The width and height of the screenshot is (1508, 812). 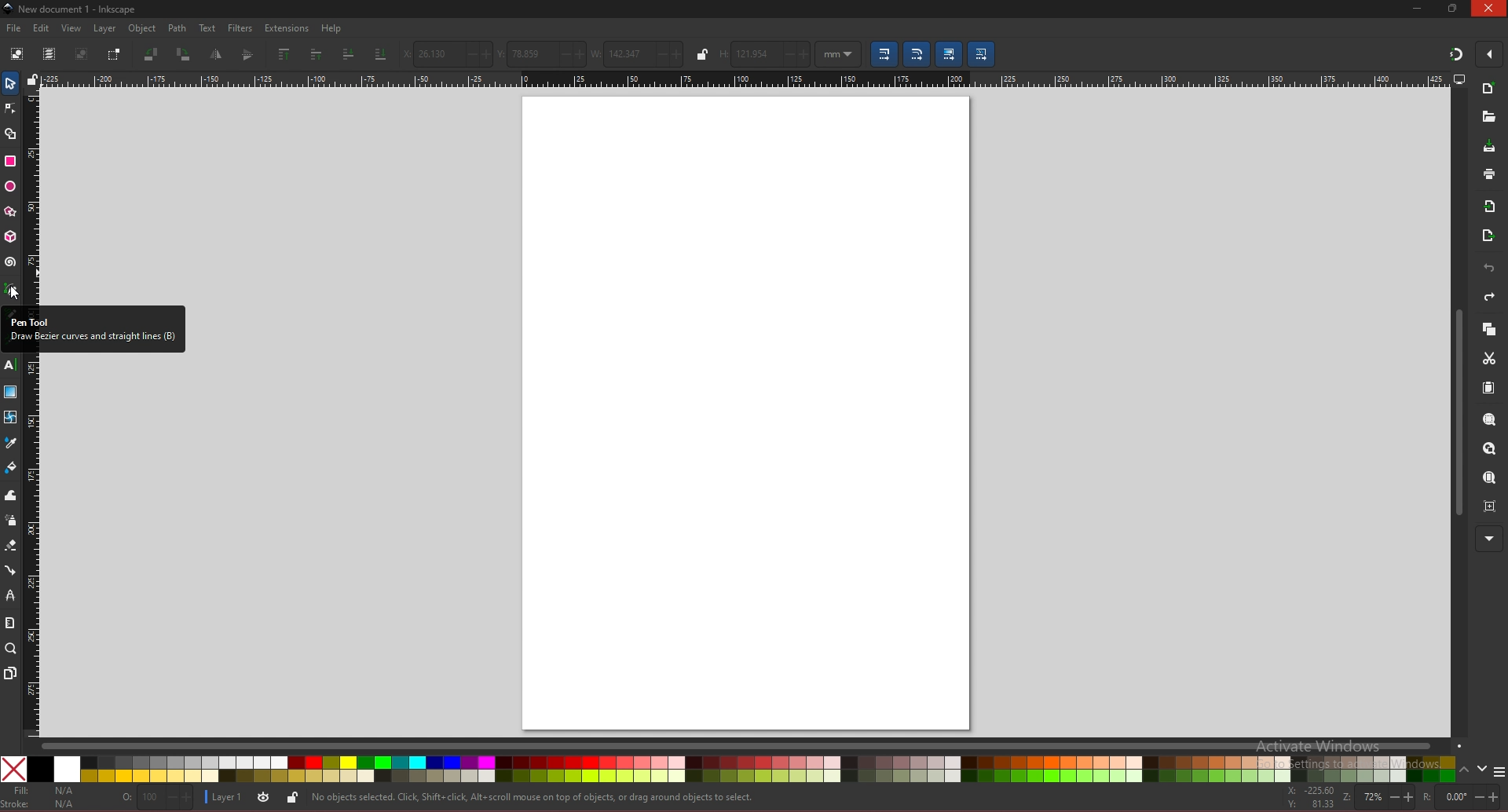 What do you see at coordinates (1488, 479) in the screenshot?
I see `zoom page` at bounding box center [1488, 479].